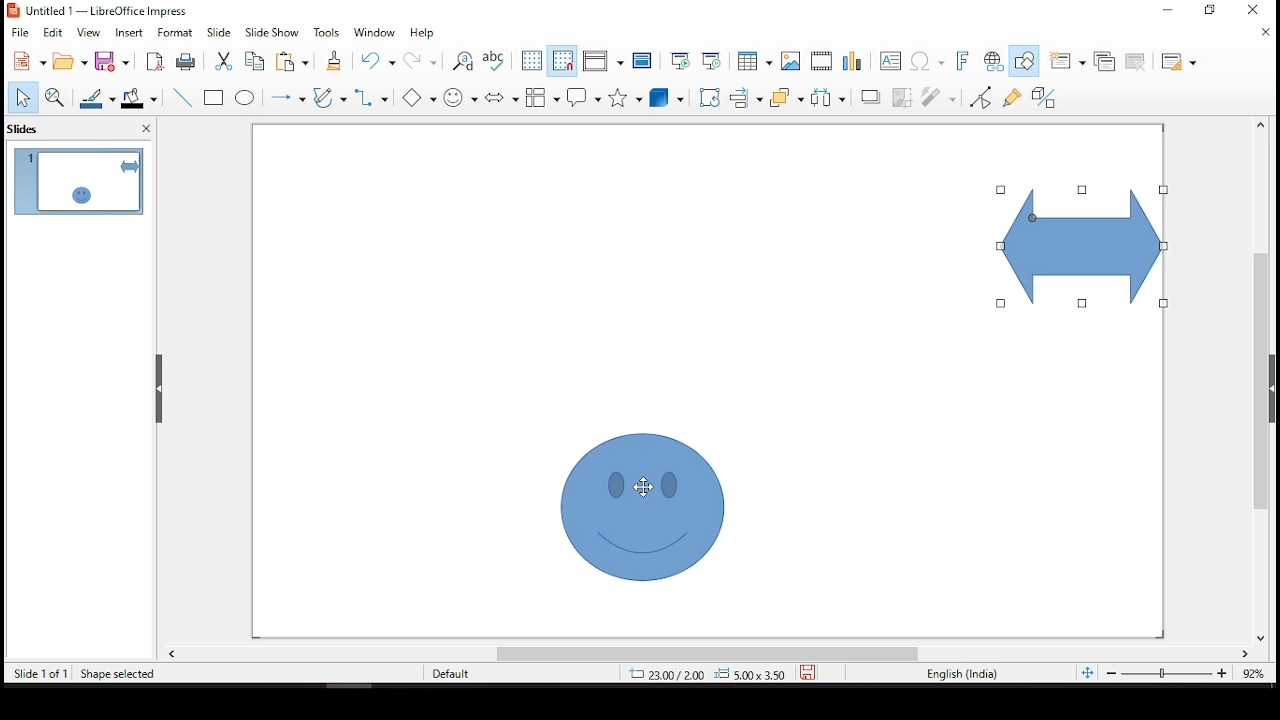 The image size is (1280, 720). Describe the element at coordinates (79, 181) in the screenshot. I see `slide 1` at that location.